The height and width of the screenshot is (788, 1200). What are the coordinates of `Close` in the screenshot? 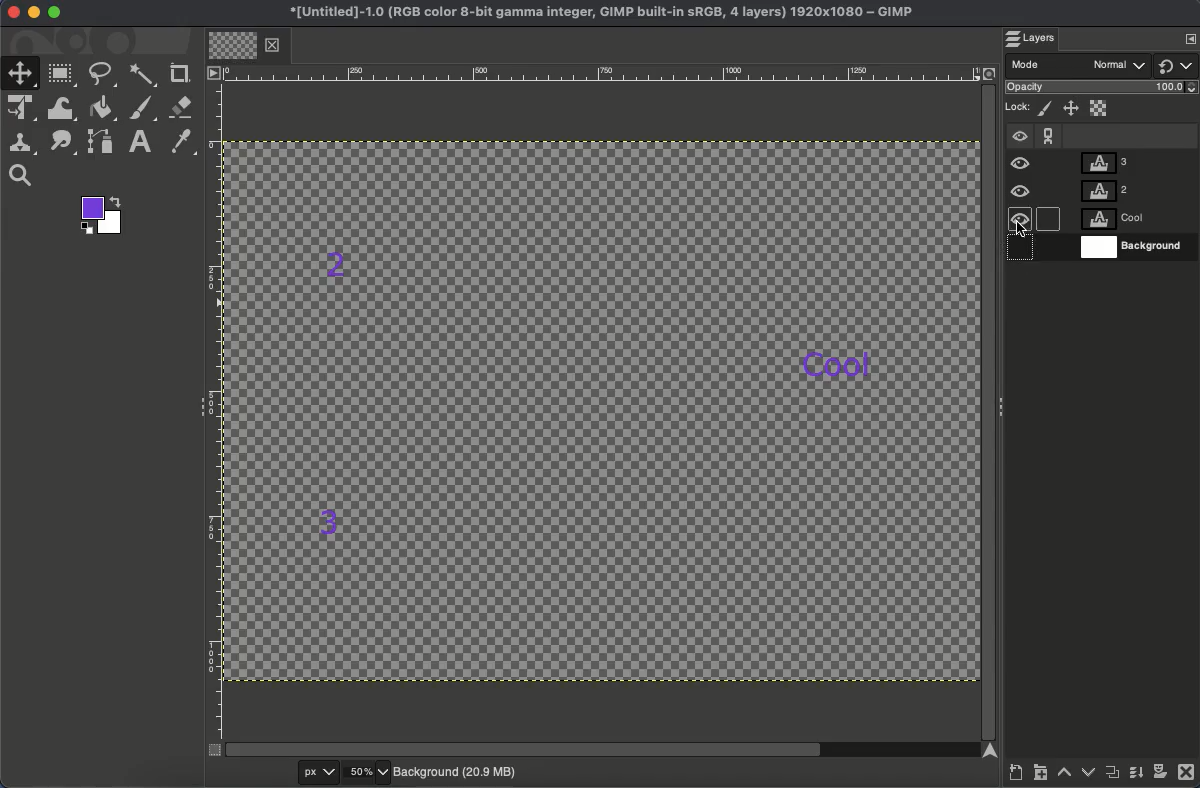 It's located at (11, 13).